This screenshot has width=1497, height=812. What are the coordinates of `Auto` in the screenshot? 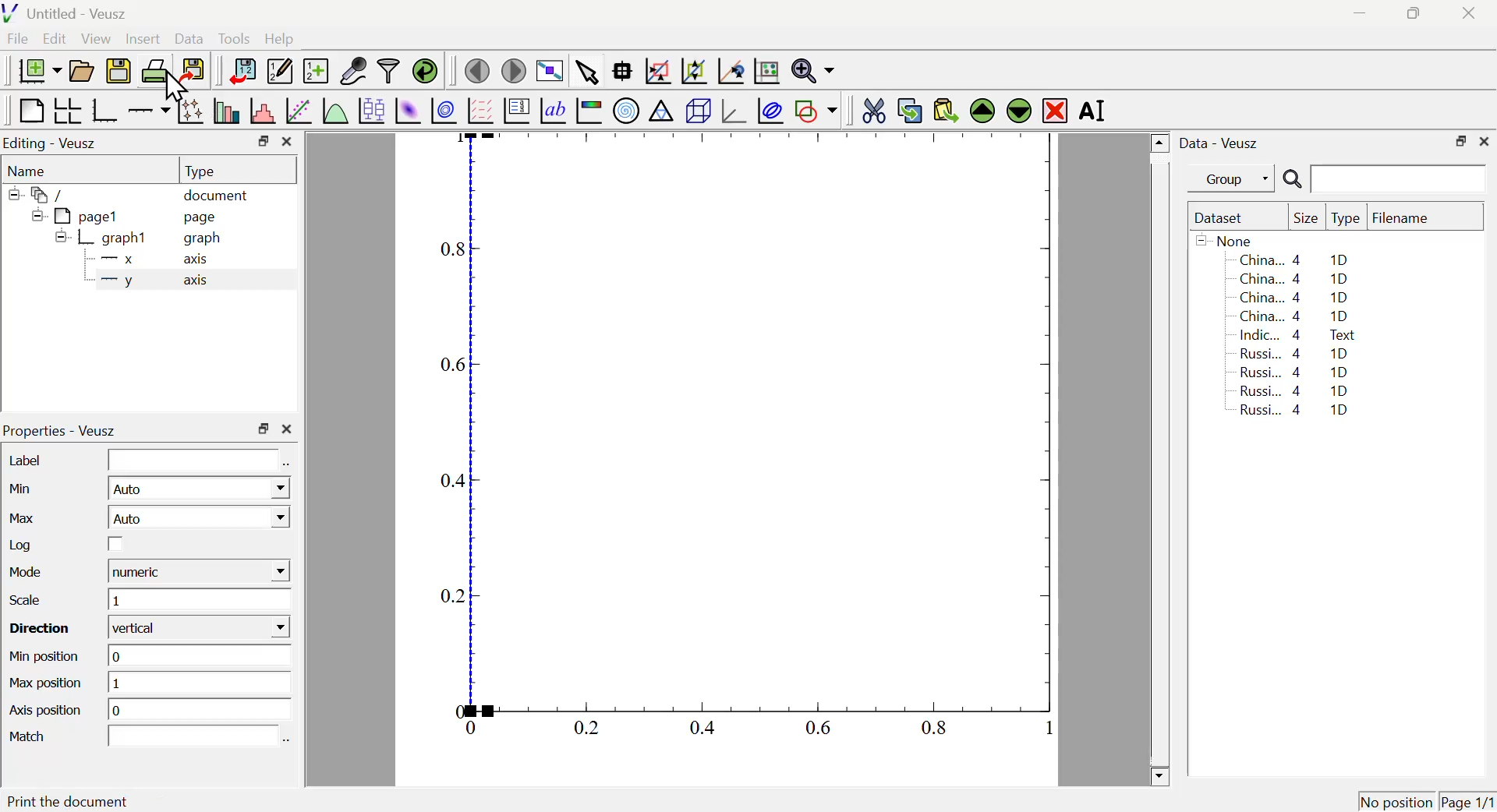 It's located at (199, 518).